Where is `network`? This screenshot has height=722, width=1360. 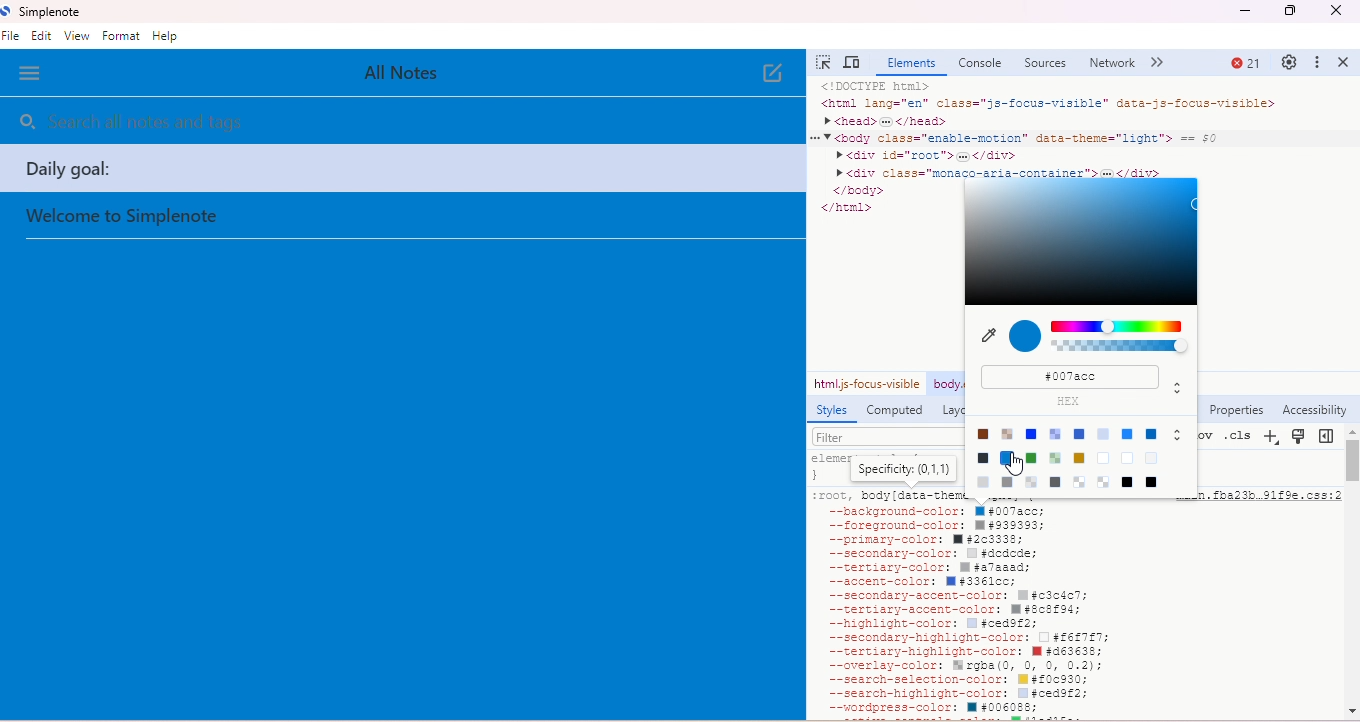
network is located at coordinates (1113, 63).